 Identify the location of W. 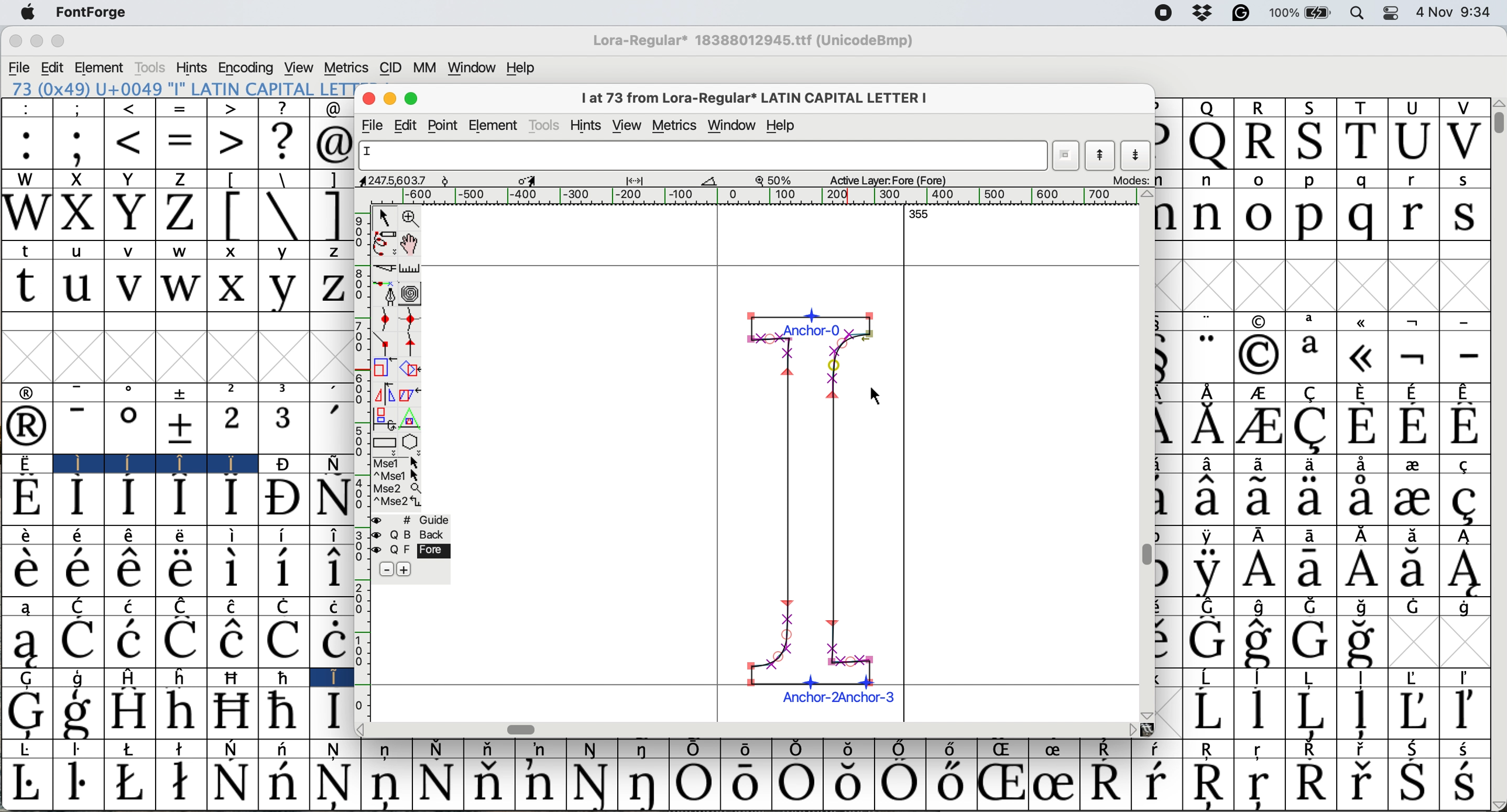
(26, 215).